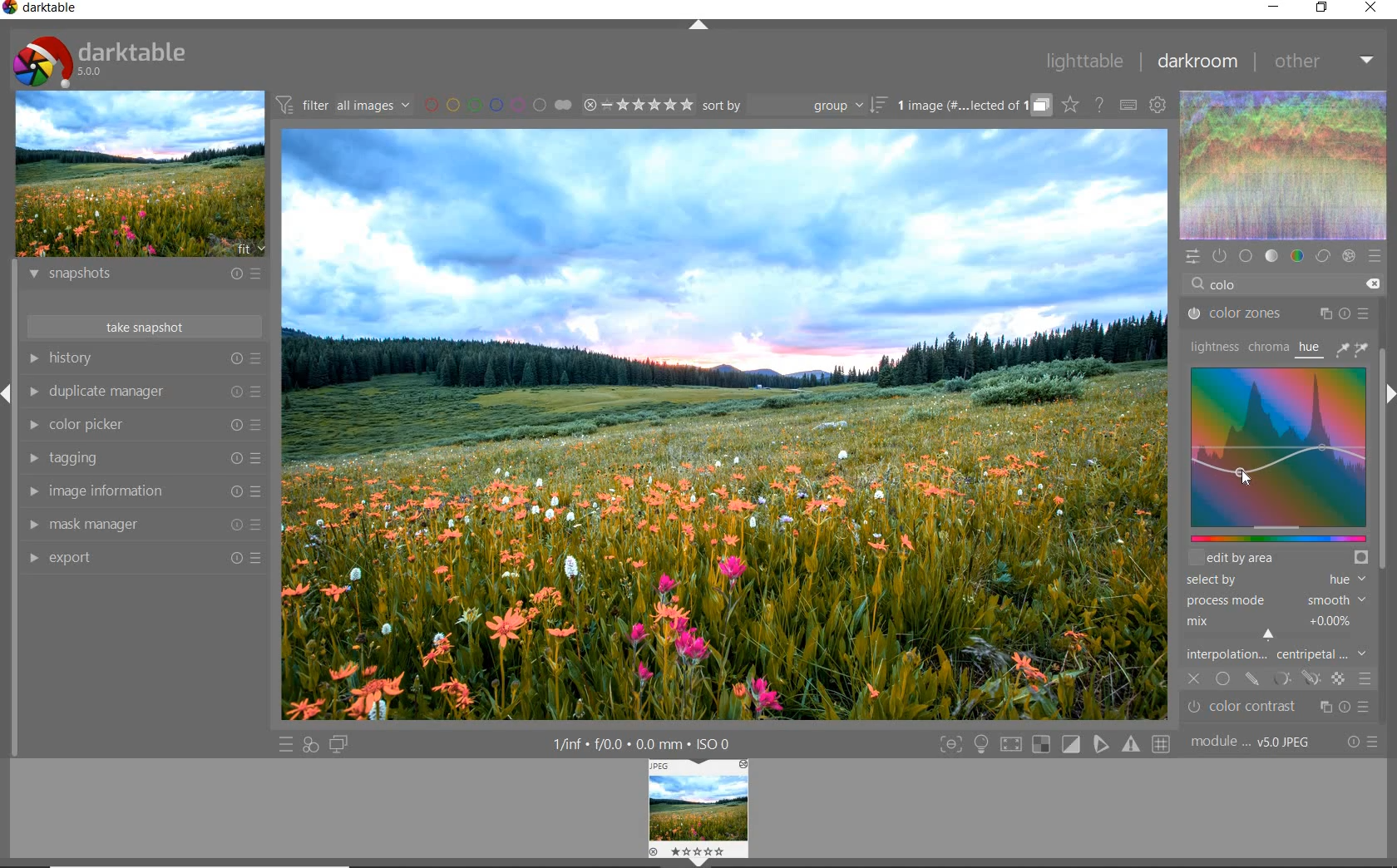 Image resolution: width=1397 pixels, height=868 pixels. Describe the element at coordinates (1127, 106) in the screenshot. I see `set keyboard shortcuts` at that location.